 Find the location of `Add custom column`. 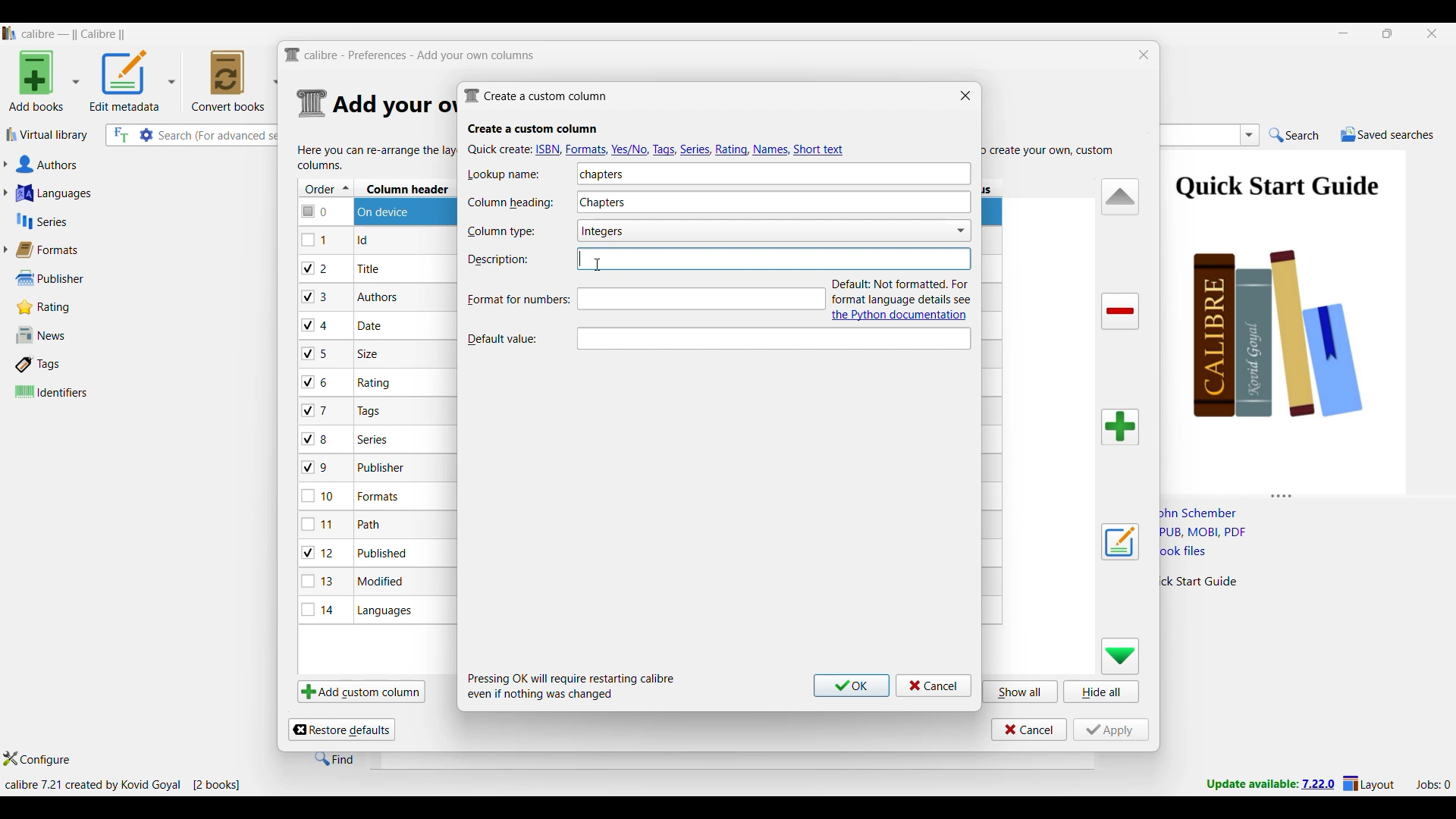

Add custom column is located at coordinates (361, 691).